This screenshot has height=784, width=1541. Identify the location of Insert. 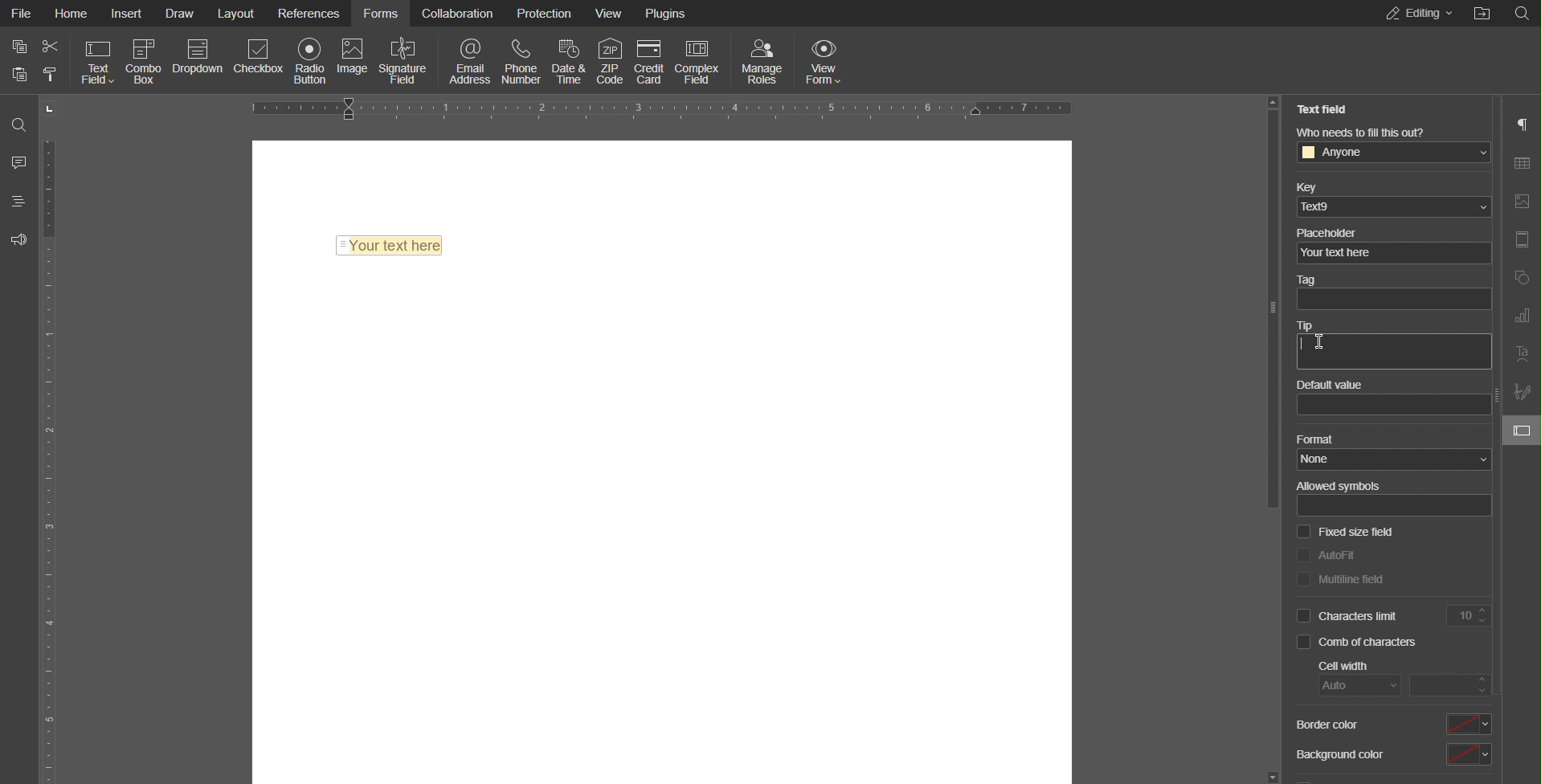
(125, 12).